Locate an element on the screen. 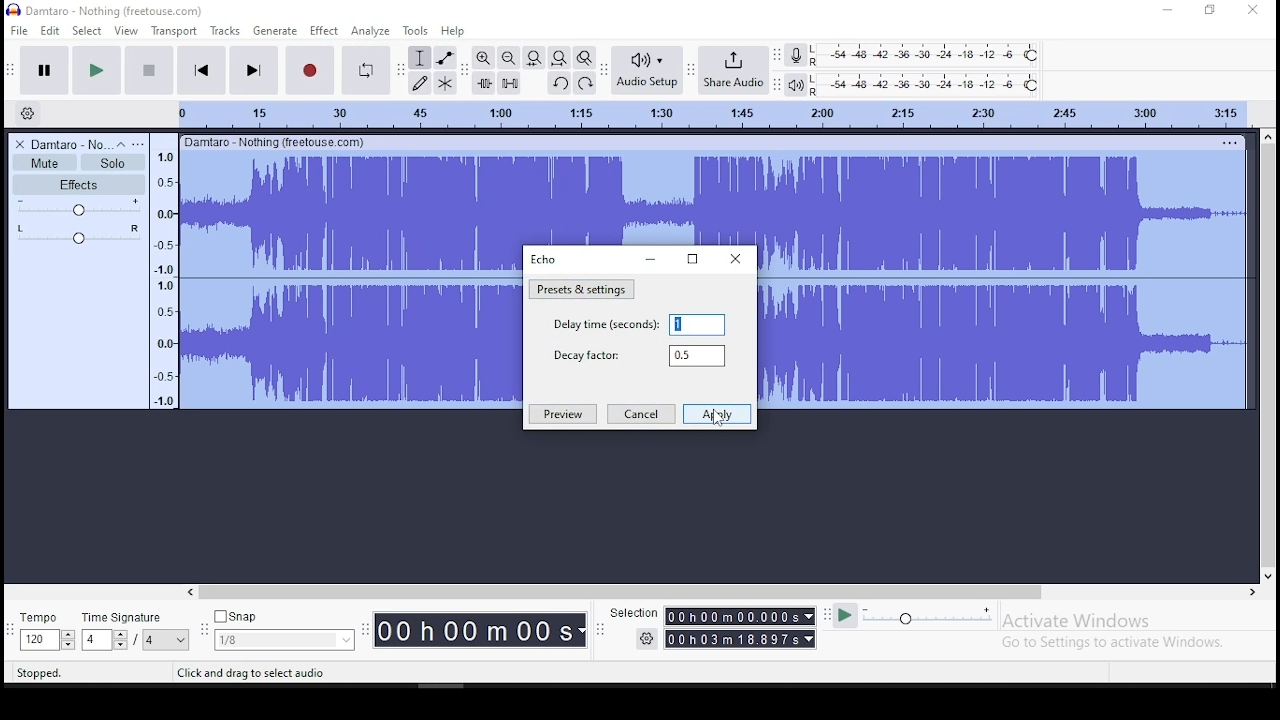  edit is located at coordinates (52, 30).